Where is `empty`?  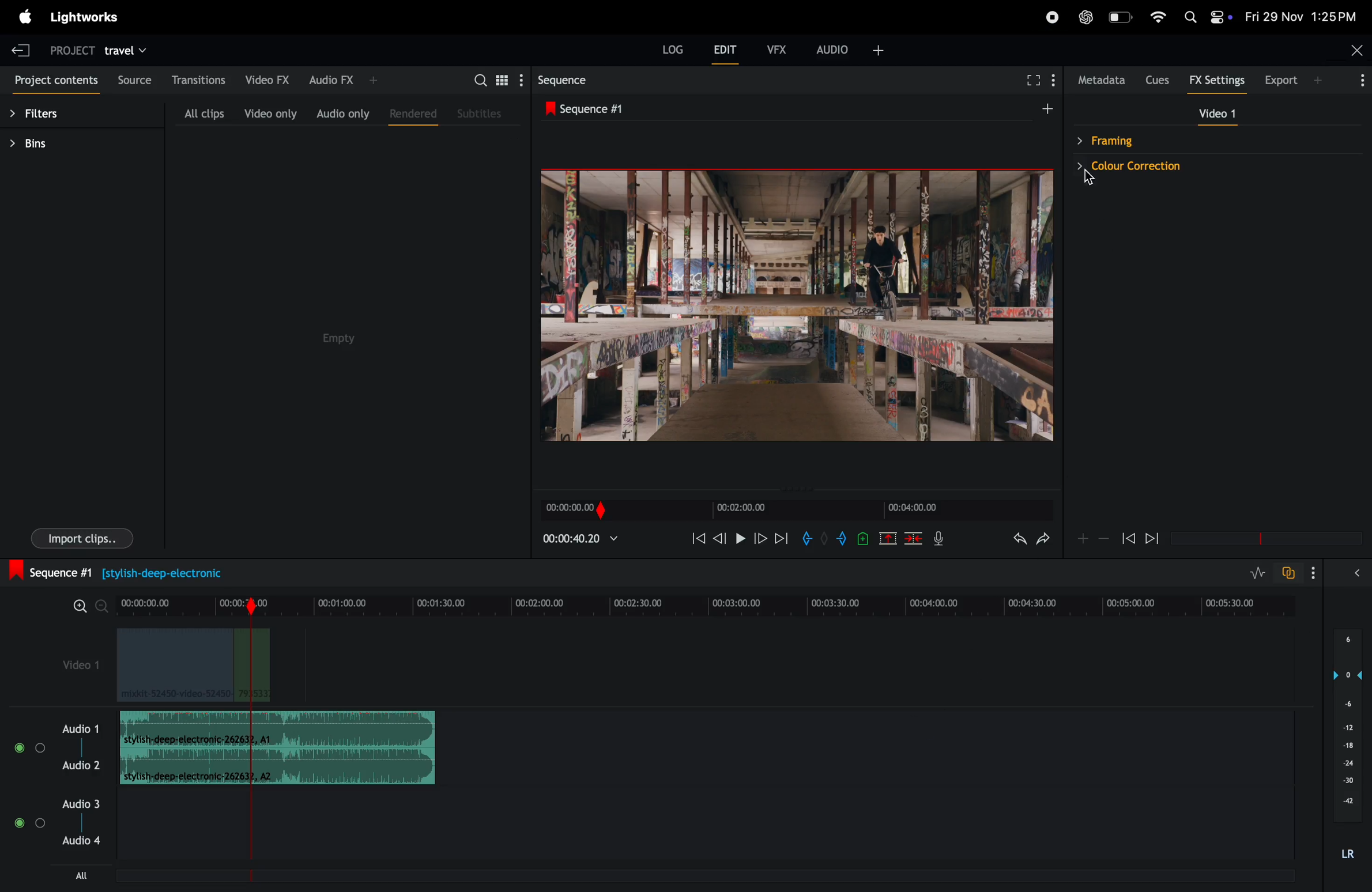 empty is located at coordinates (337, 339).